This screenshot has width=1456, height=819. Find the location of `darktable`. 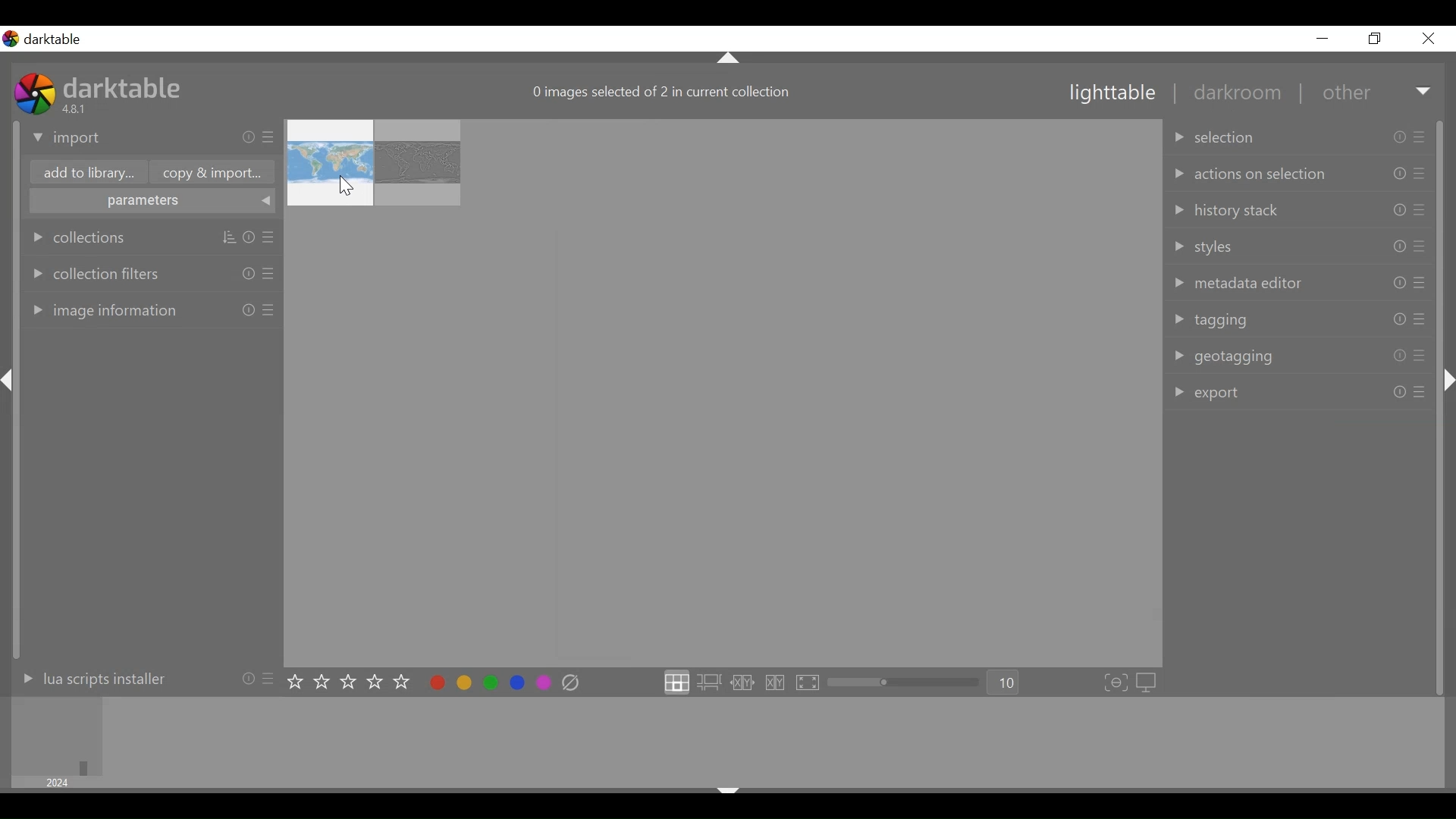

darktable is located at coordinates (128, 86).